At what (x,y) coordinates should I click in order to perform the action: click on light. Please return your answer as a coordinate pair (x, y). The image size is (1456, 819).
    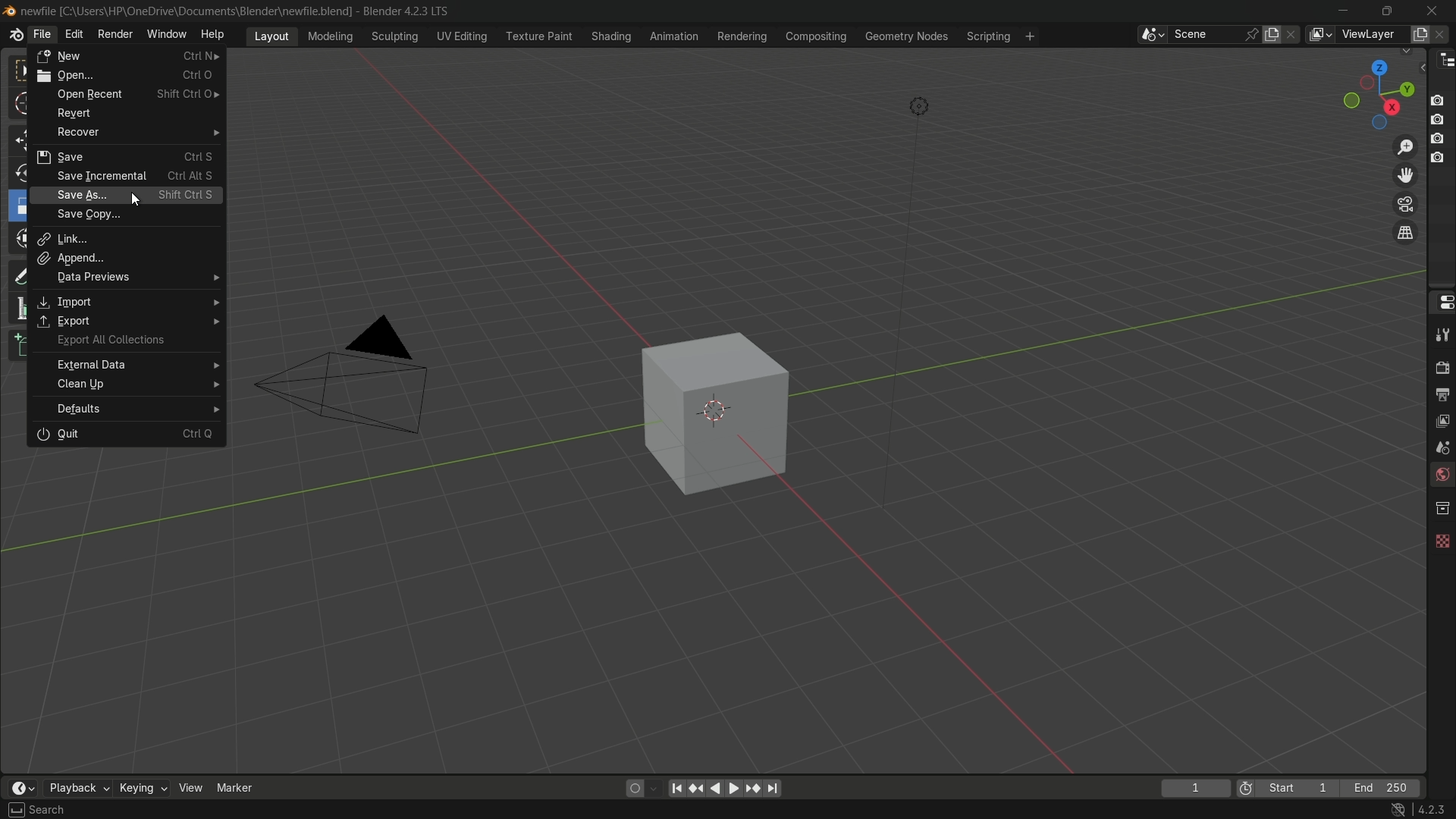
    Looking at the image, I should click on (919, 109).